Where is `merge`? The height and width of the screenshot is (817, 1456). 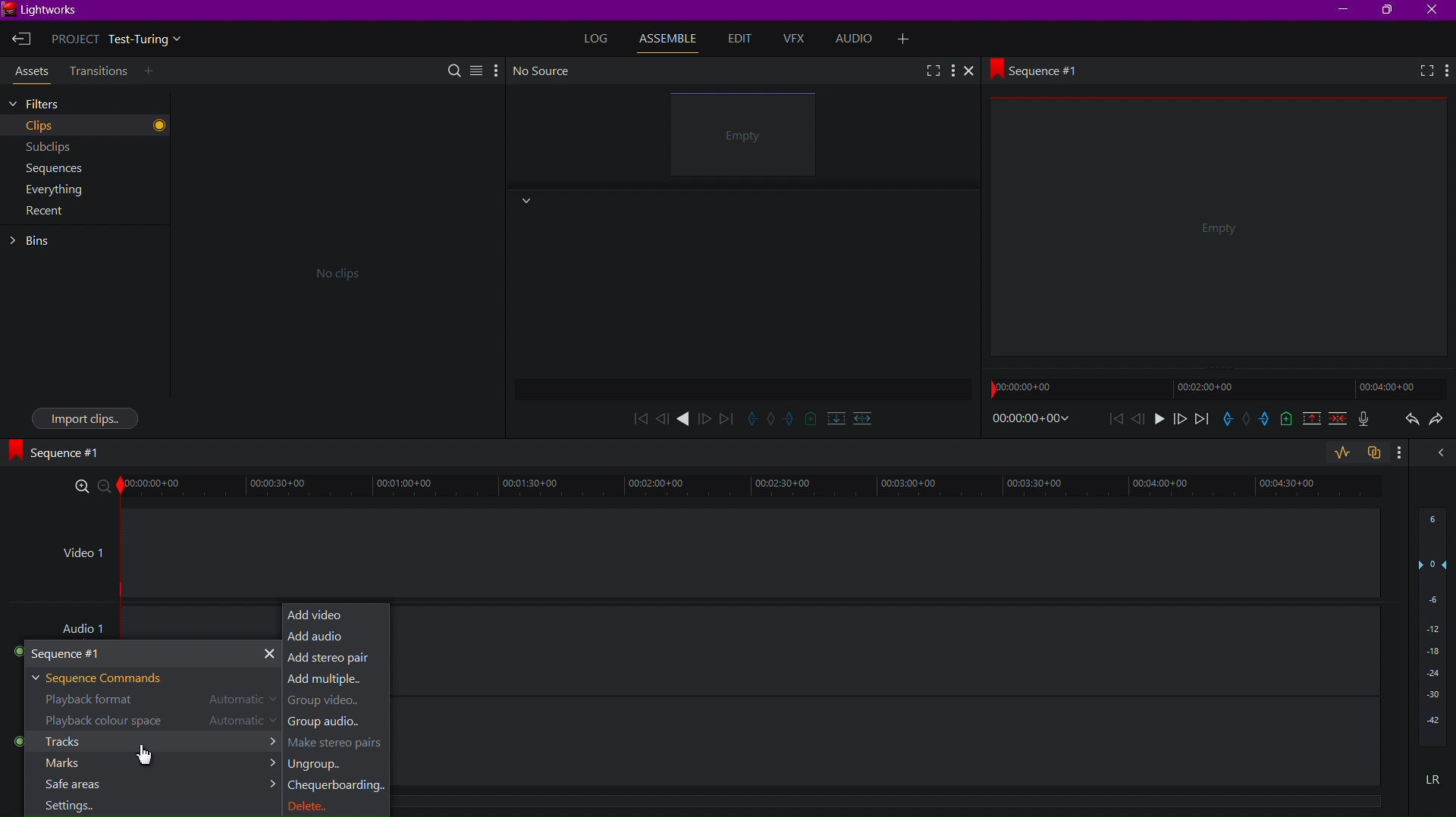 merge is located at coordinates (1335, 421).